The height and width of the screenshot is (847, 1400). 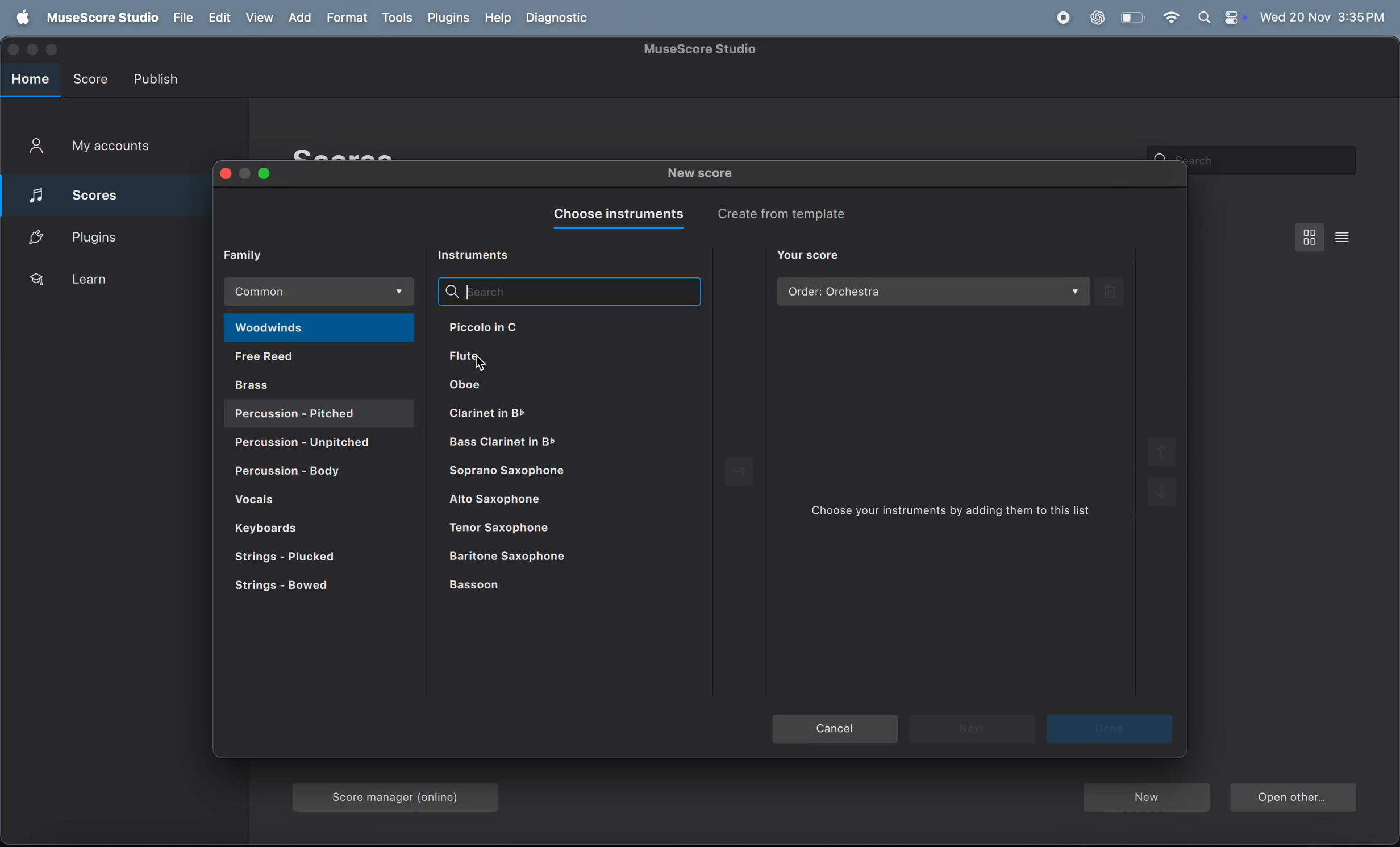 What do you see at coordinates (223, 175) in the screenshot?
I see `close` at bounding box center [223, 175].